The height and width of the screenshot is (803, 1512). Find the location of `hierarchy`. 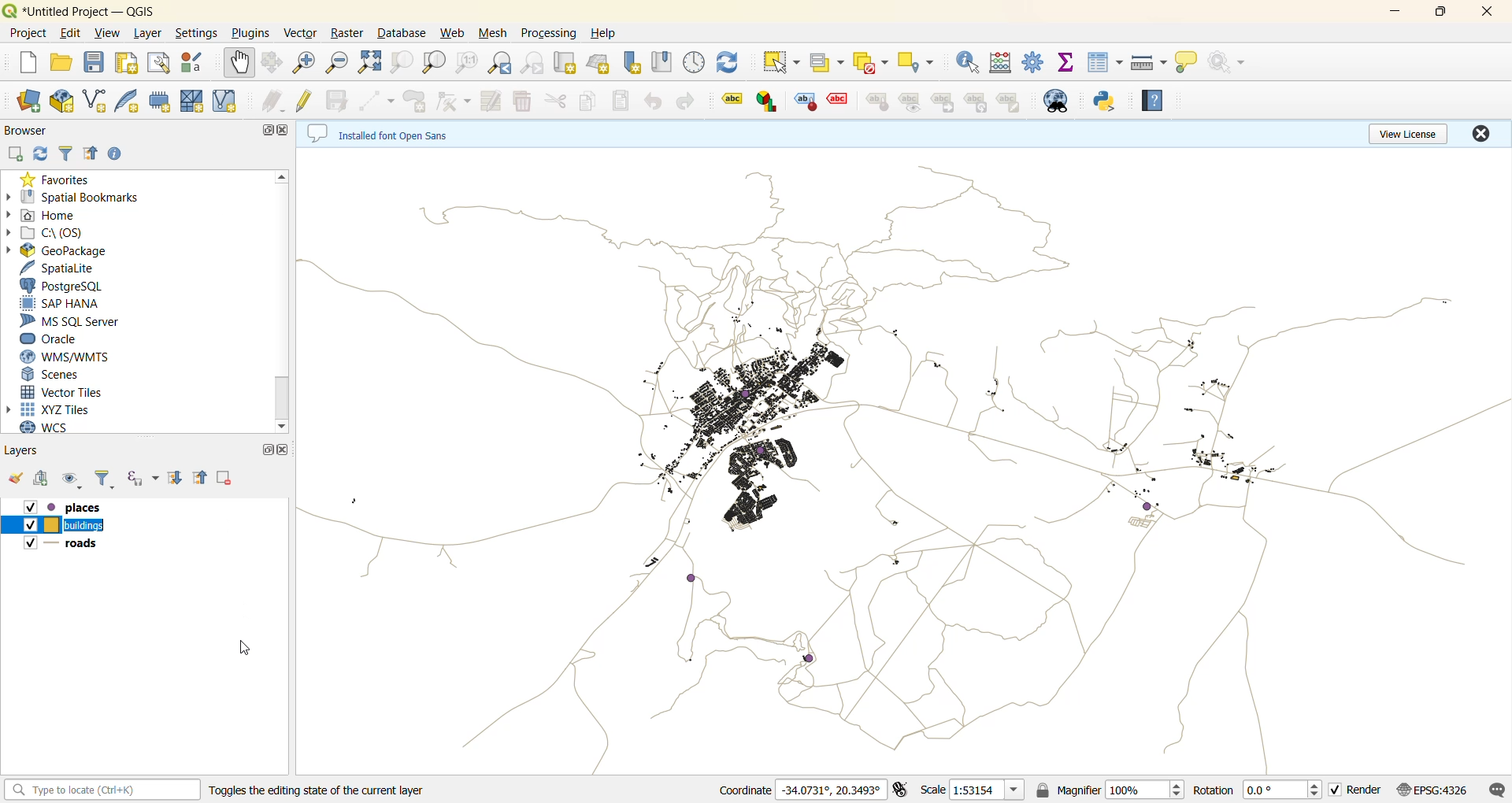

hierarchy is located at coordinates (977, 102).